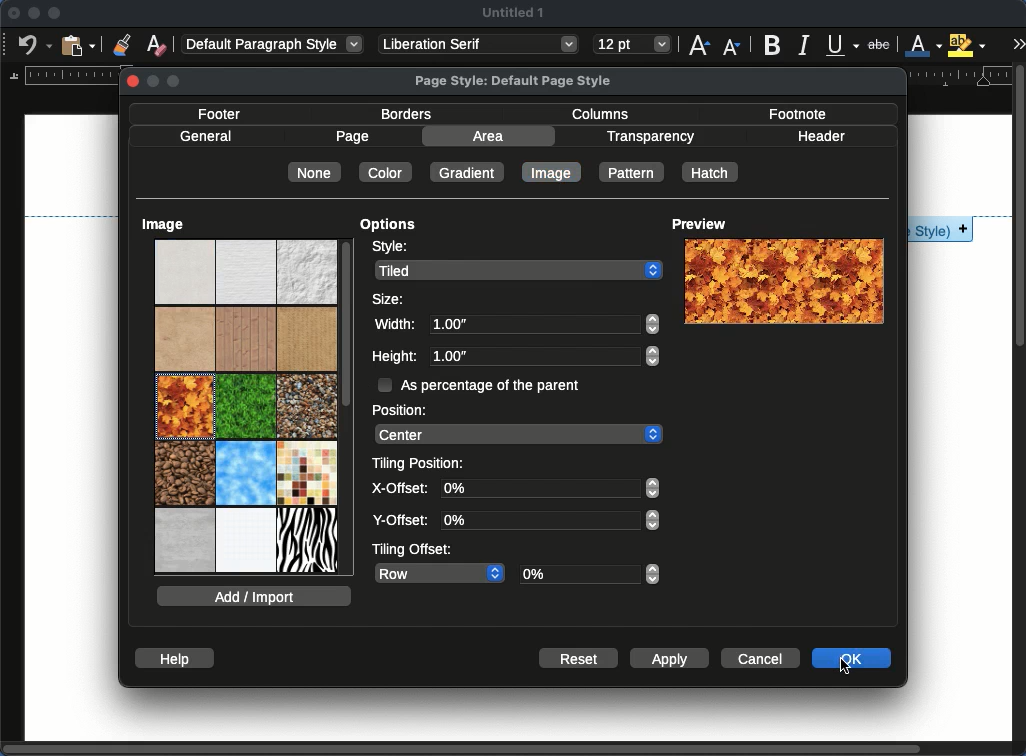  I want to click on highlight, so click(966, 45).